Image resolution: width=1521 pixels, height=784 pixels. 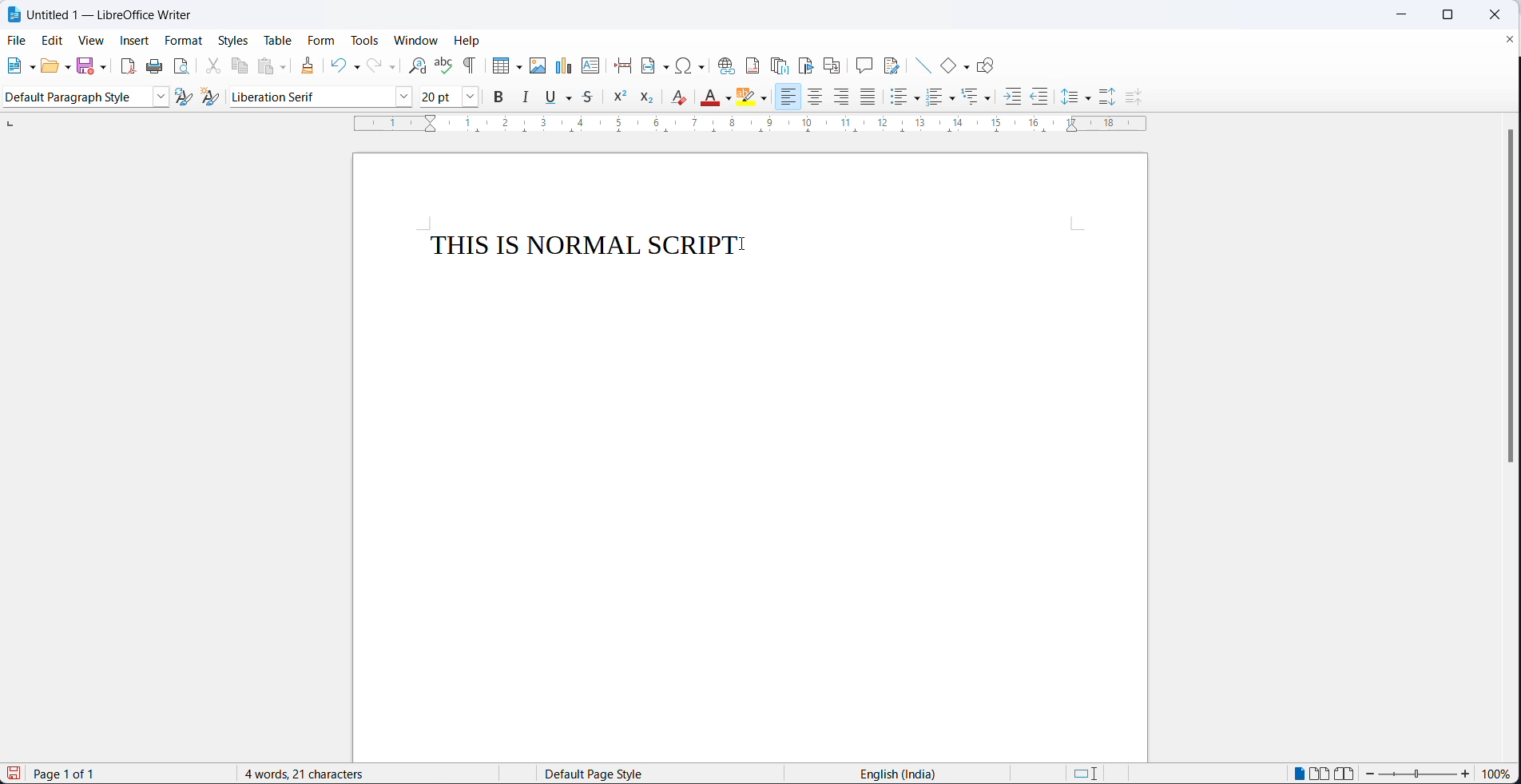 I want to click on open, so click(x=48, y=66).